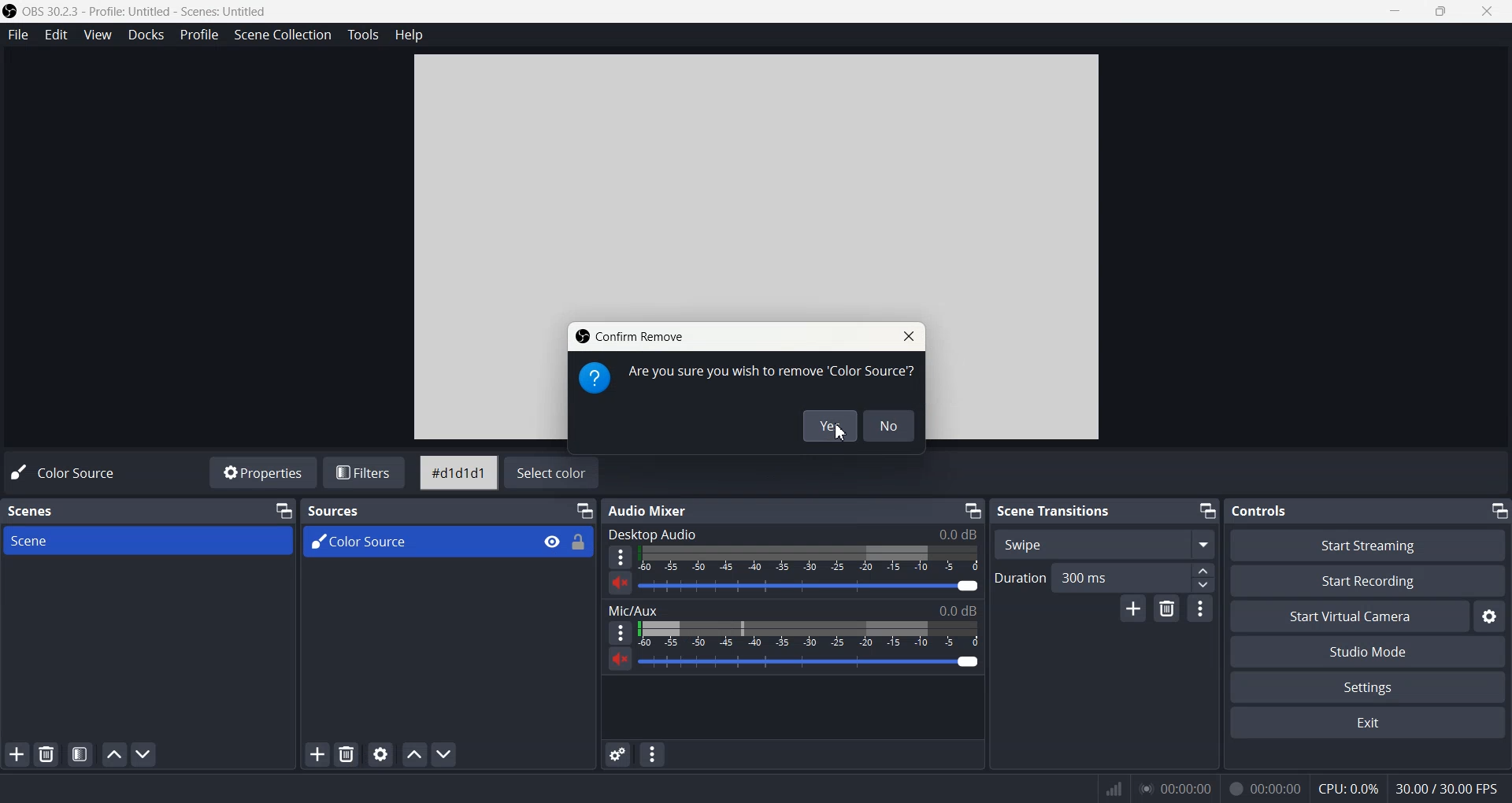 The width and height of the screenshot is (1512, 803). I want to click on More, so click(621, 632).